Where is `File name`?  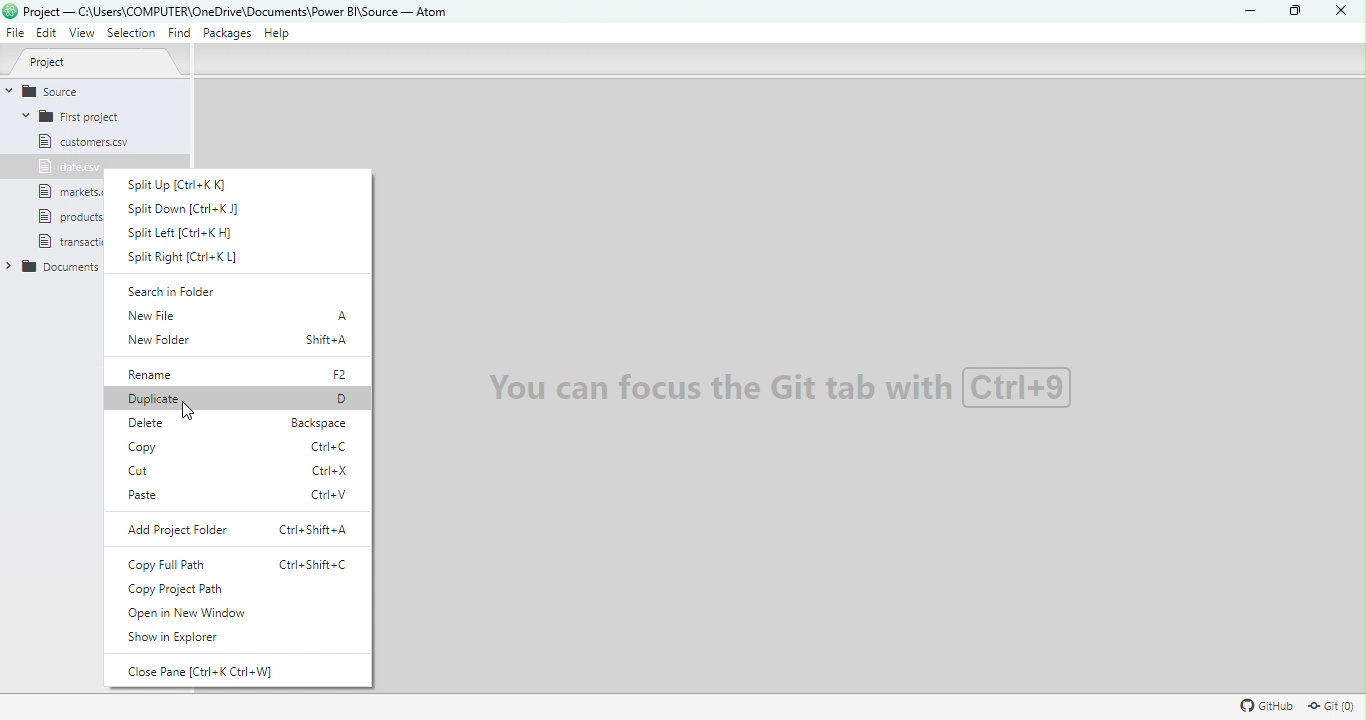 File name is located at coordinates (238, 10).